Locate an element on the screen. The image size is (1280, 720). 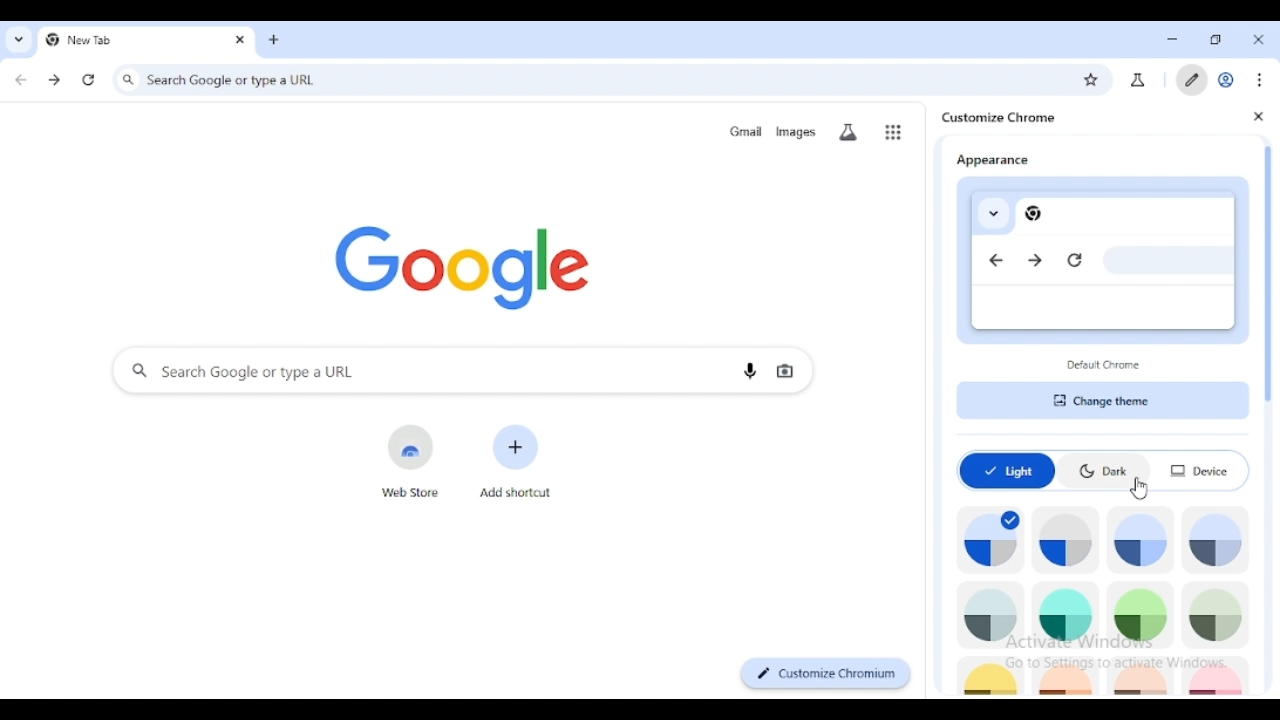
search by image is located at coordinates (785, 369).